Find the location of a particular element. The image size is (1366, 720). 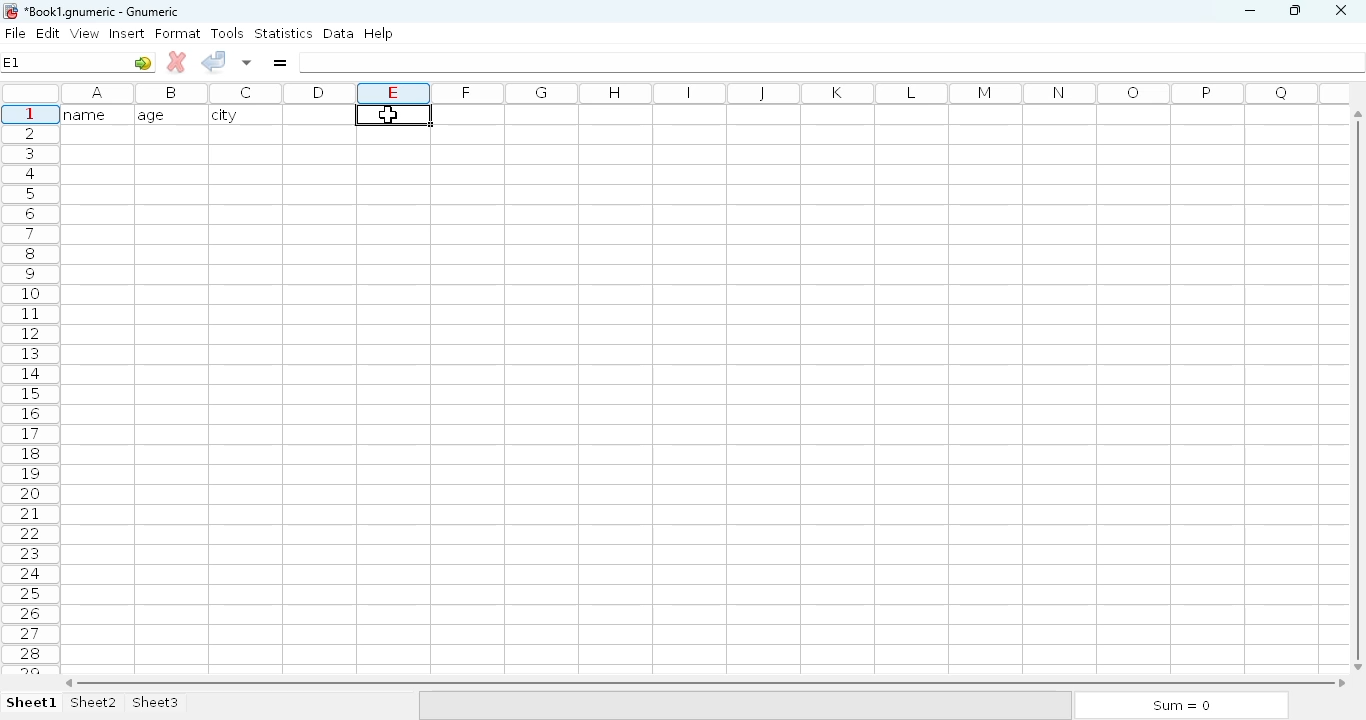

accept change in multiple cells is located at coordinates (247, 62).